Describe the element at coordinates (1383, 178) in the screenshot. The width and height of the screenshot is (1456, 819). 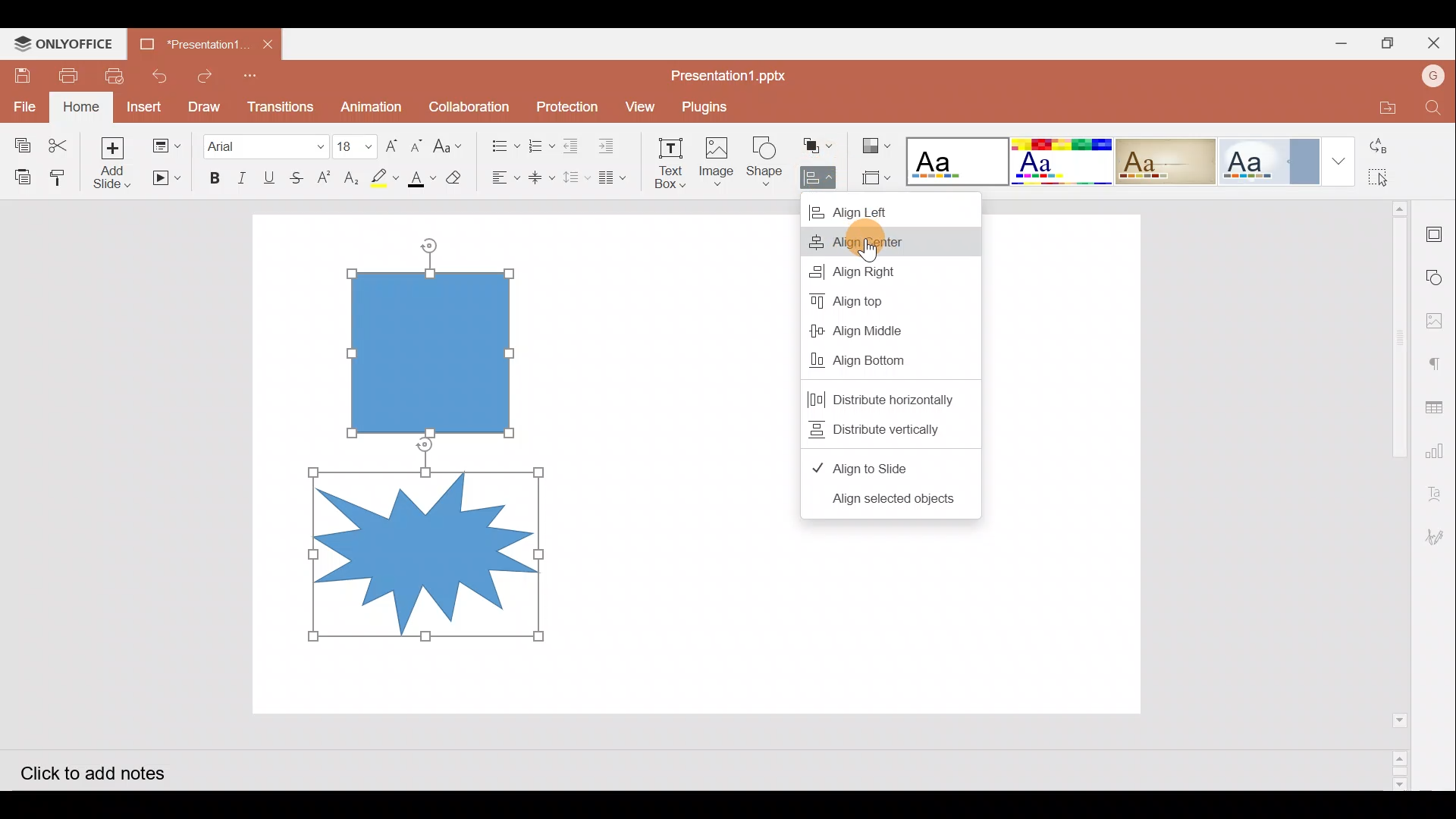
I see `Select all` at that location.